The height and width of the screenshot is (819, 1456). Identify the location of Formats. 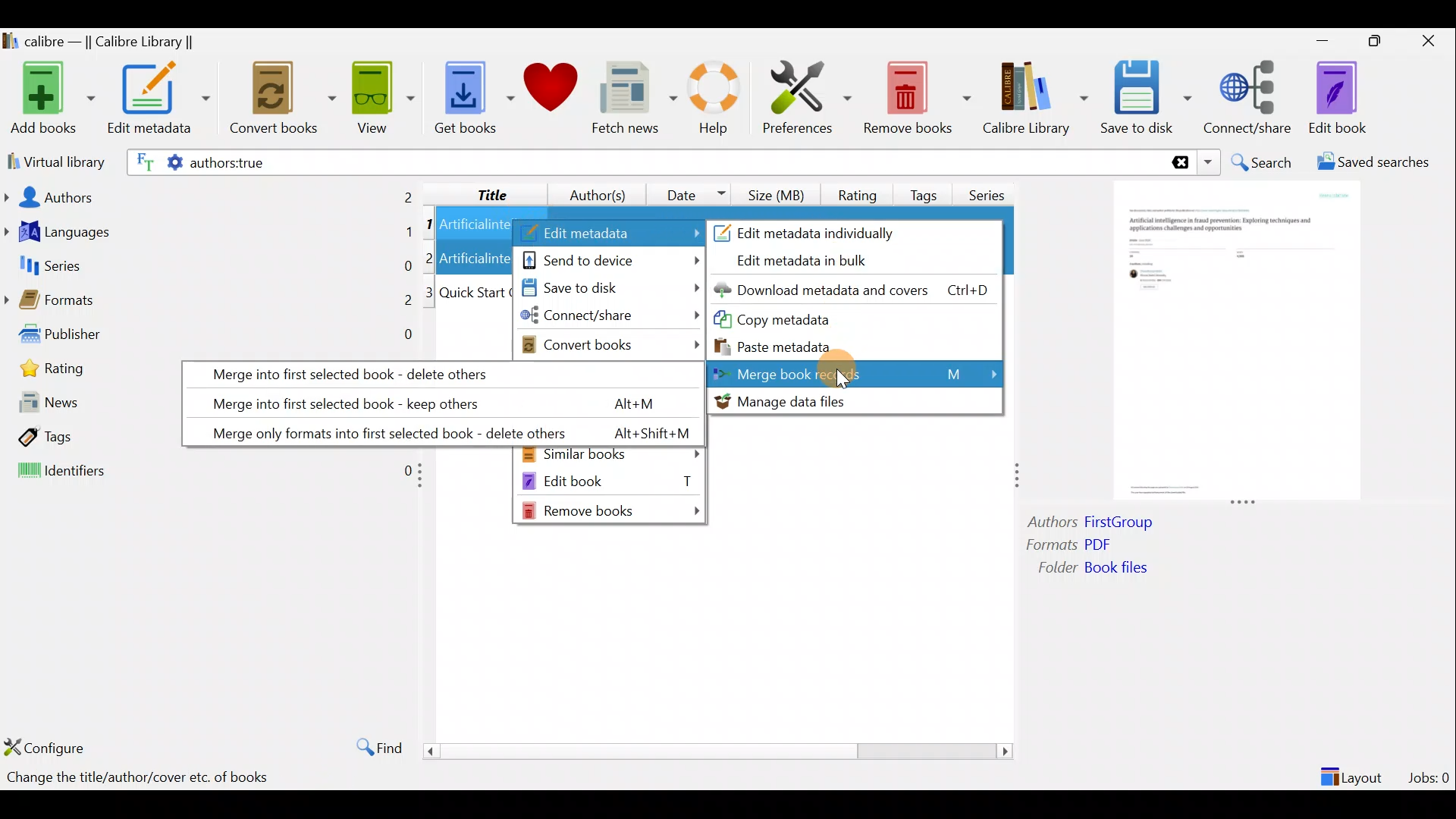
(209, 304).